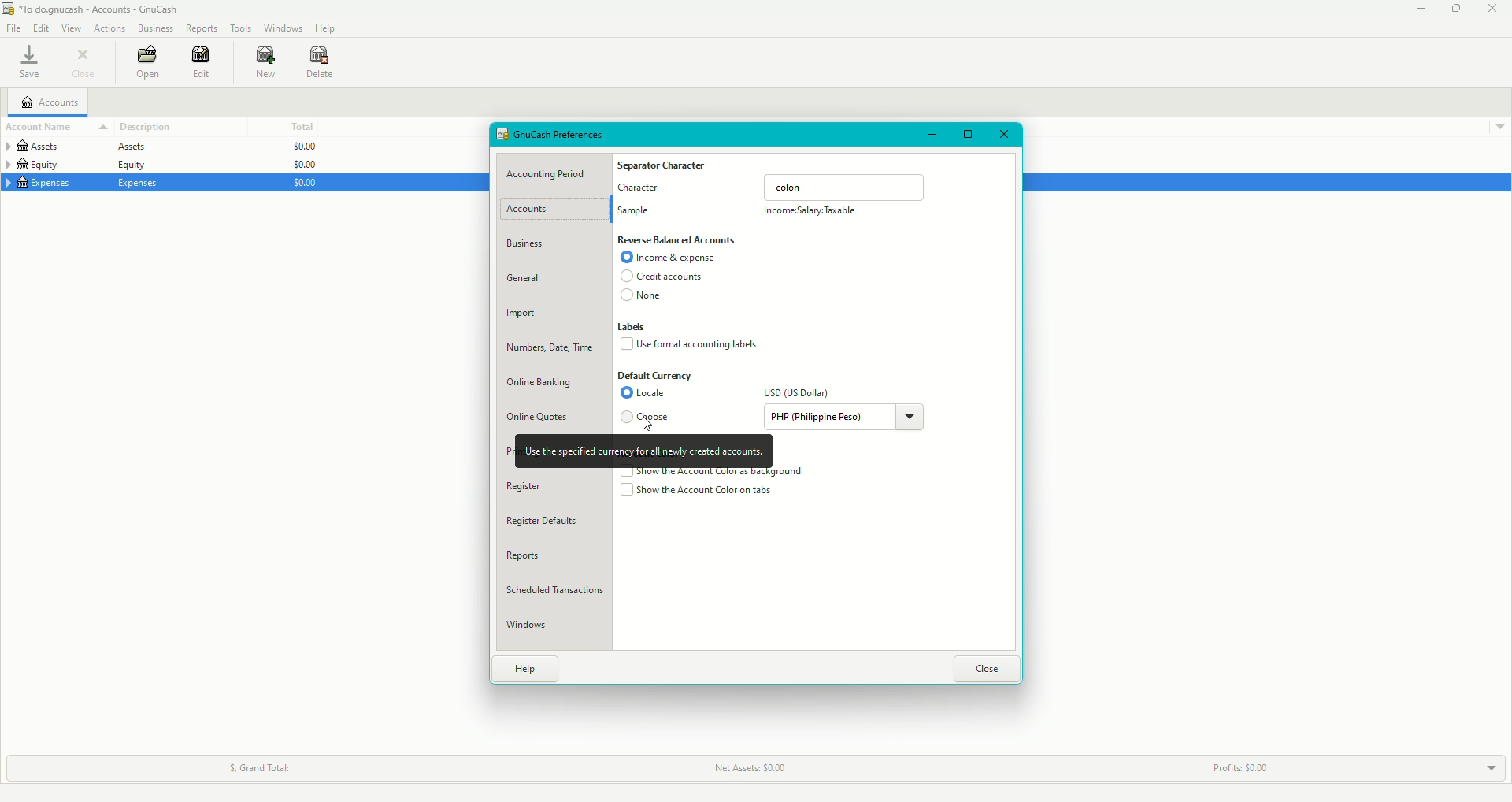  What do you see at coordinates (813, 212) in the screenshot?
I see `Income:Salary:Taxable` at bounding box center [813, 212].